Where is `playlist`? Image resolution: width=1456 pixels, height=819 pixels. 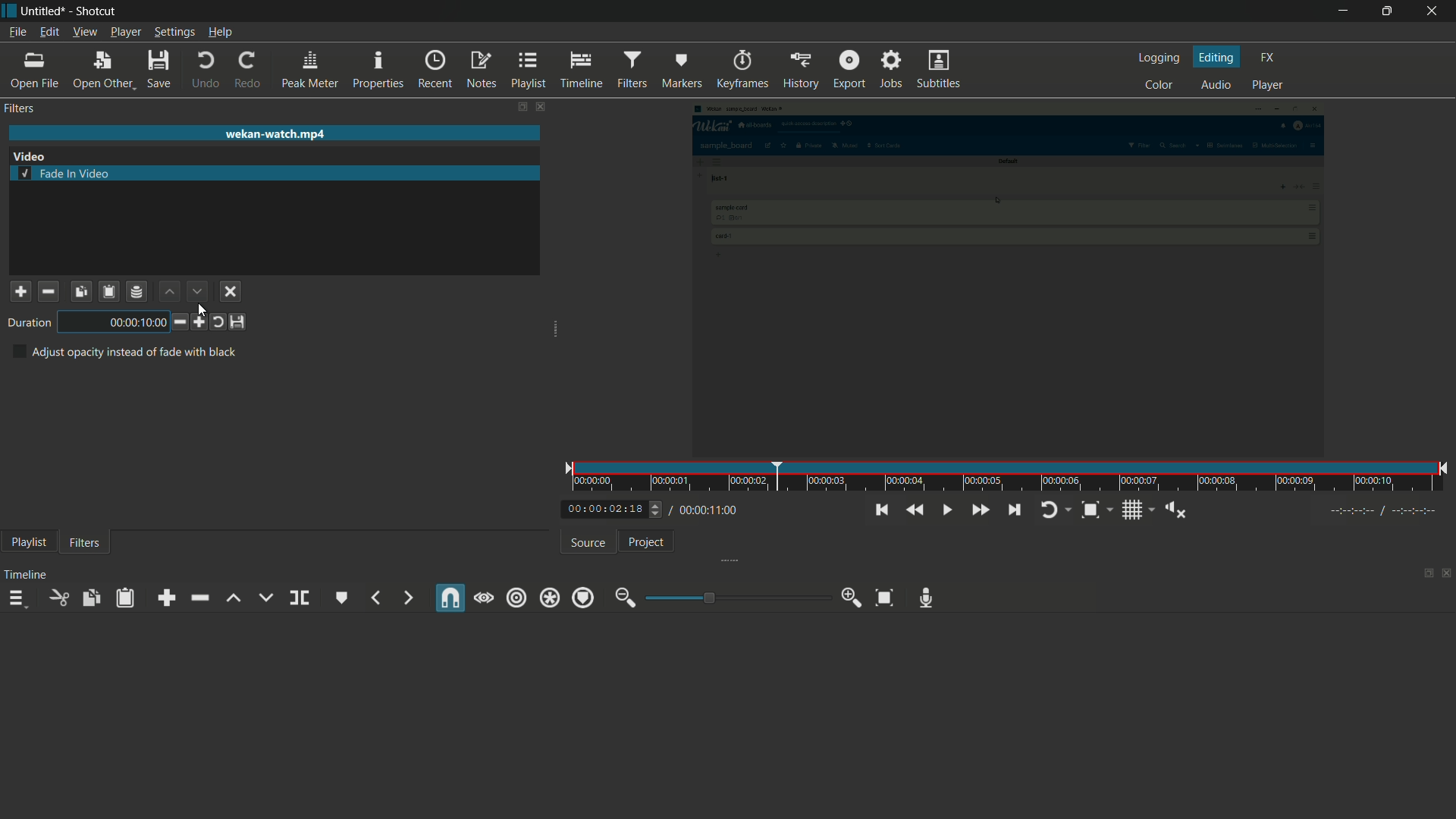
playlist is located at coordinates (527, 71).